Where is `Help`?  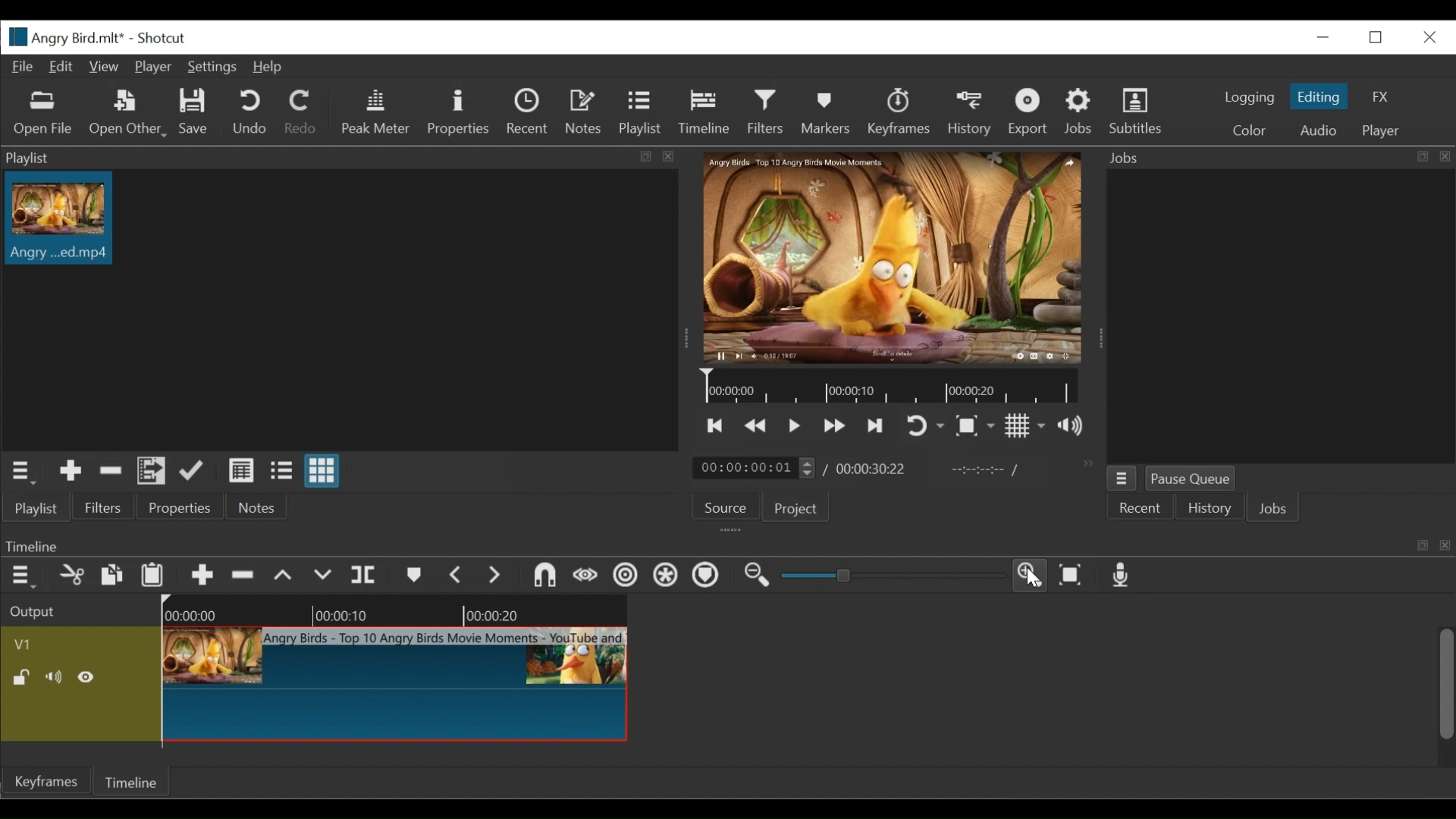
Help is located at coordinates (268, 67).